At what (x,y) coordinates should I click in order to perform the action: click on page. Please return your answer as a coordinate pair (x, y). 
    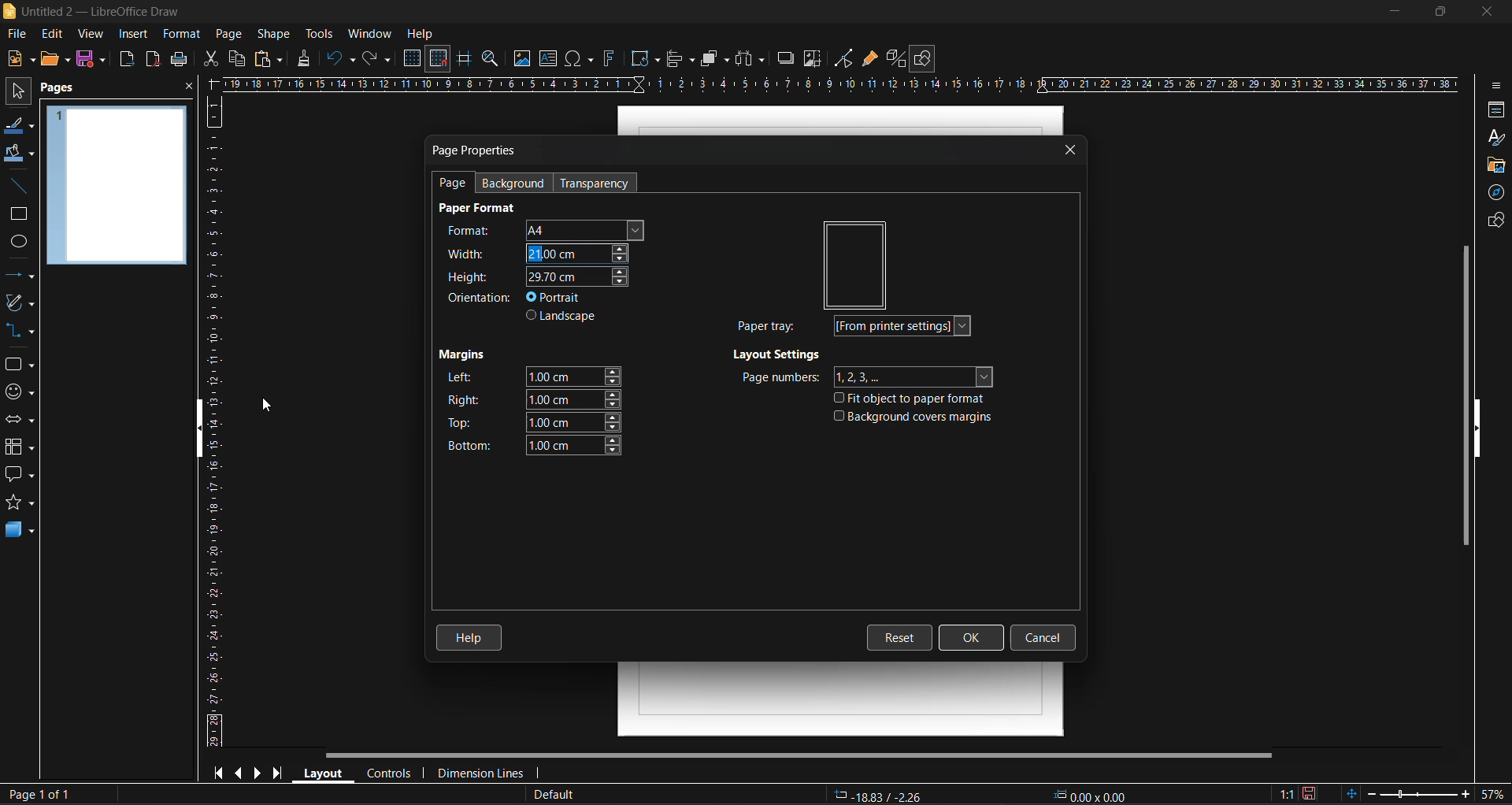
    Looking at the image, I should click on (232, 33).